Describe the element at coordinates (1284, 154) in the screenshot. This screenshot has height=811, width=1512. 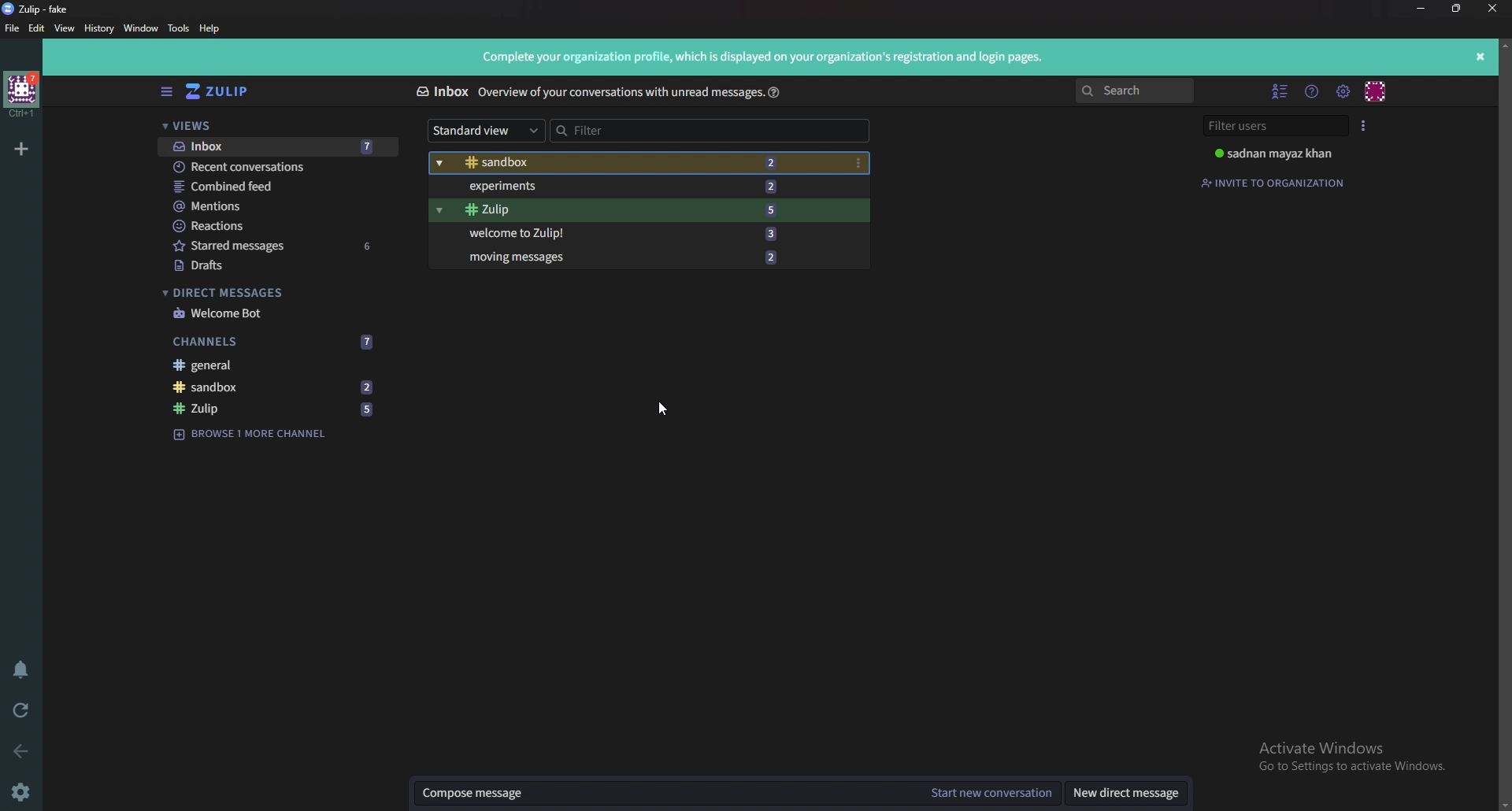
I see `Sadnan mayaz khan` at that location.